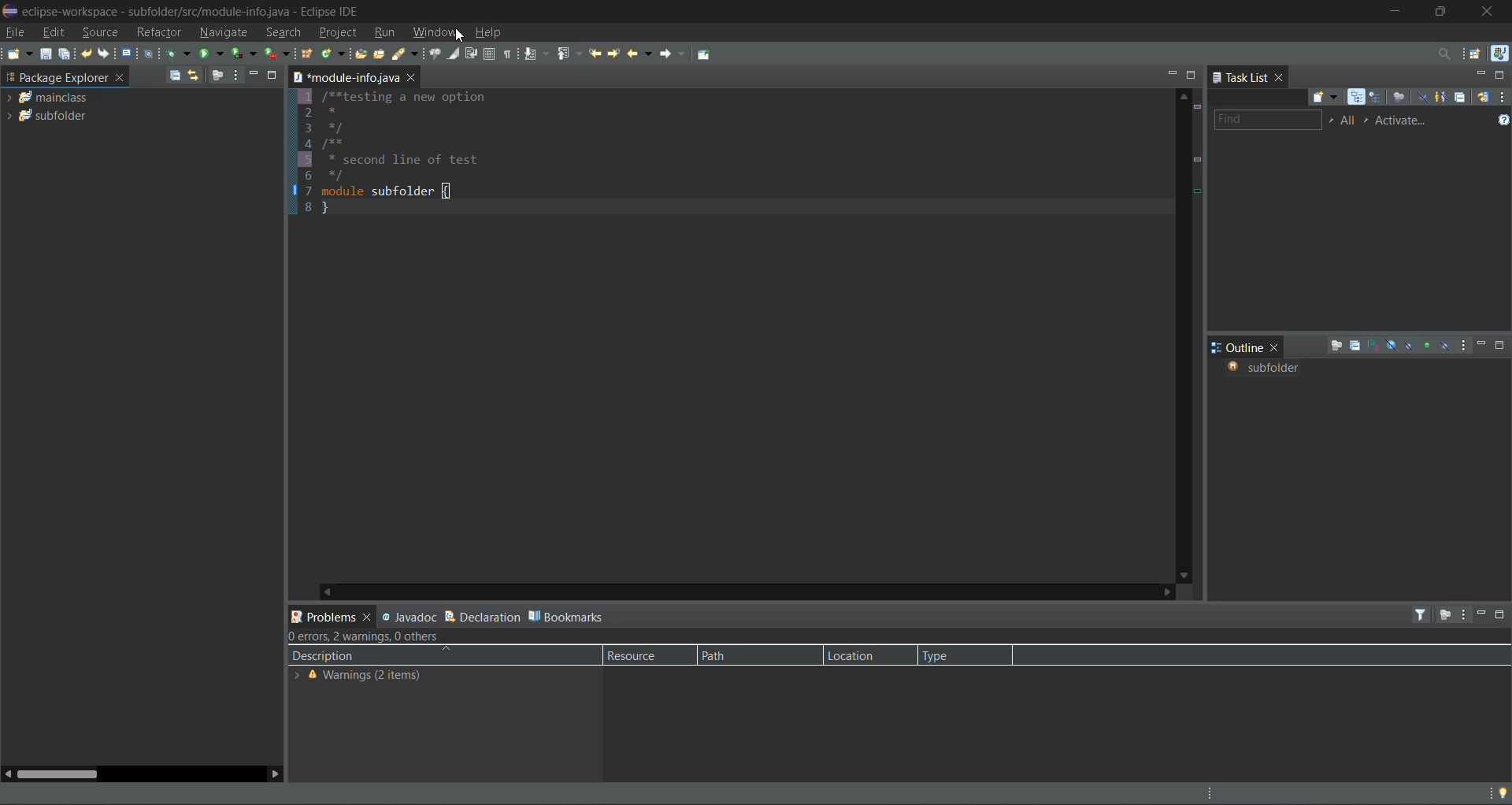 The height and width of the screenshot is (805, 1512). Describe the element at coordinates (278, 54) in the screenshot. I see `run last tool` at that location.